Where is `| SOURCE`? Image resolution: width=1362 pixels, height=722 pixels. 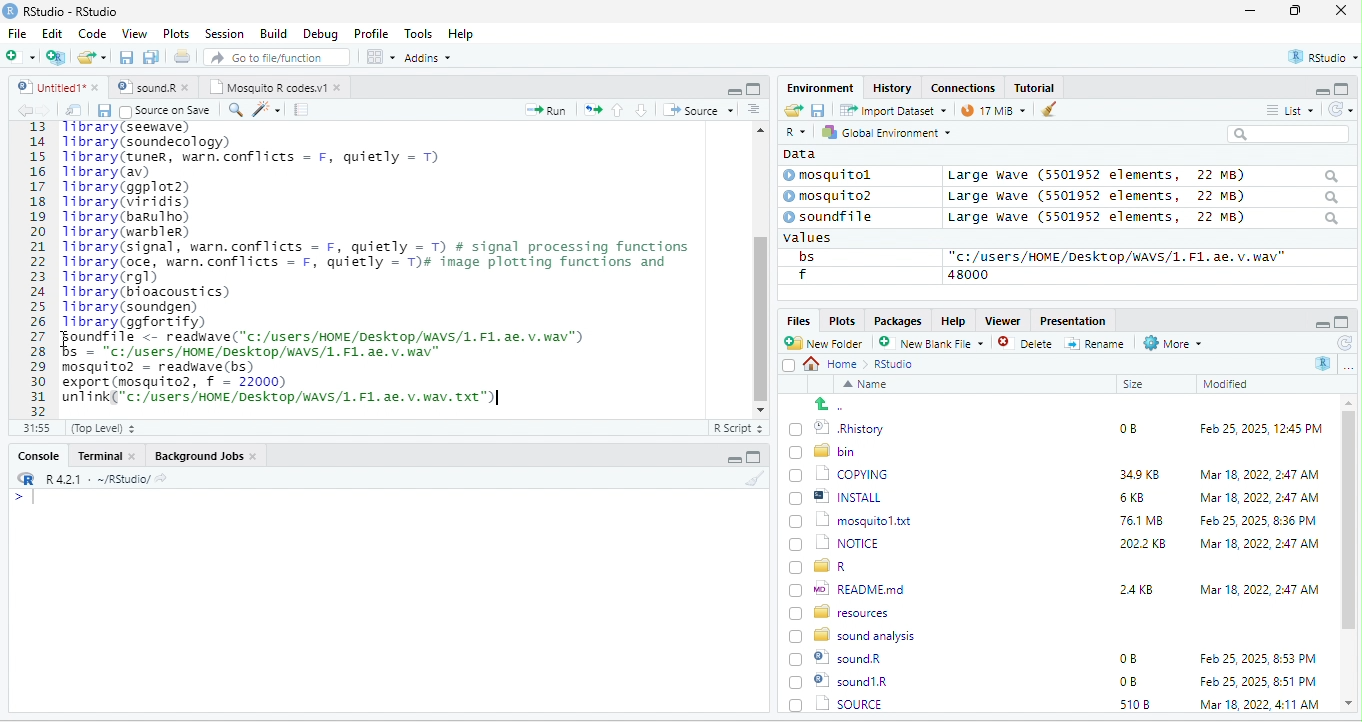
| SOURCE is located at coordinates (848, 681).